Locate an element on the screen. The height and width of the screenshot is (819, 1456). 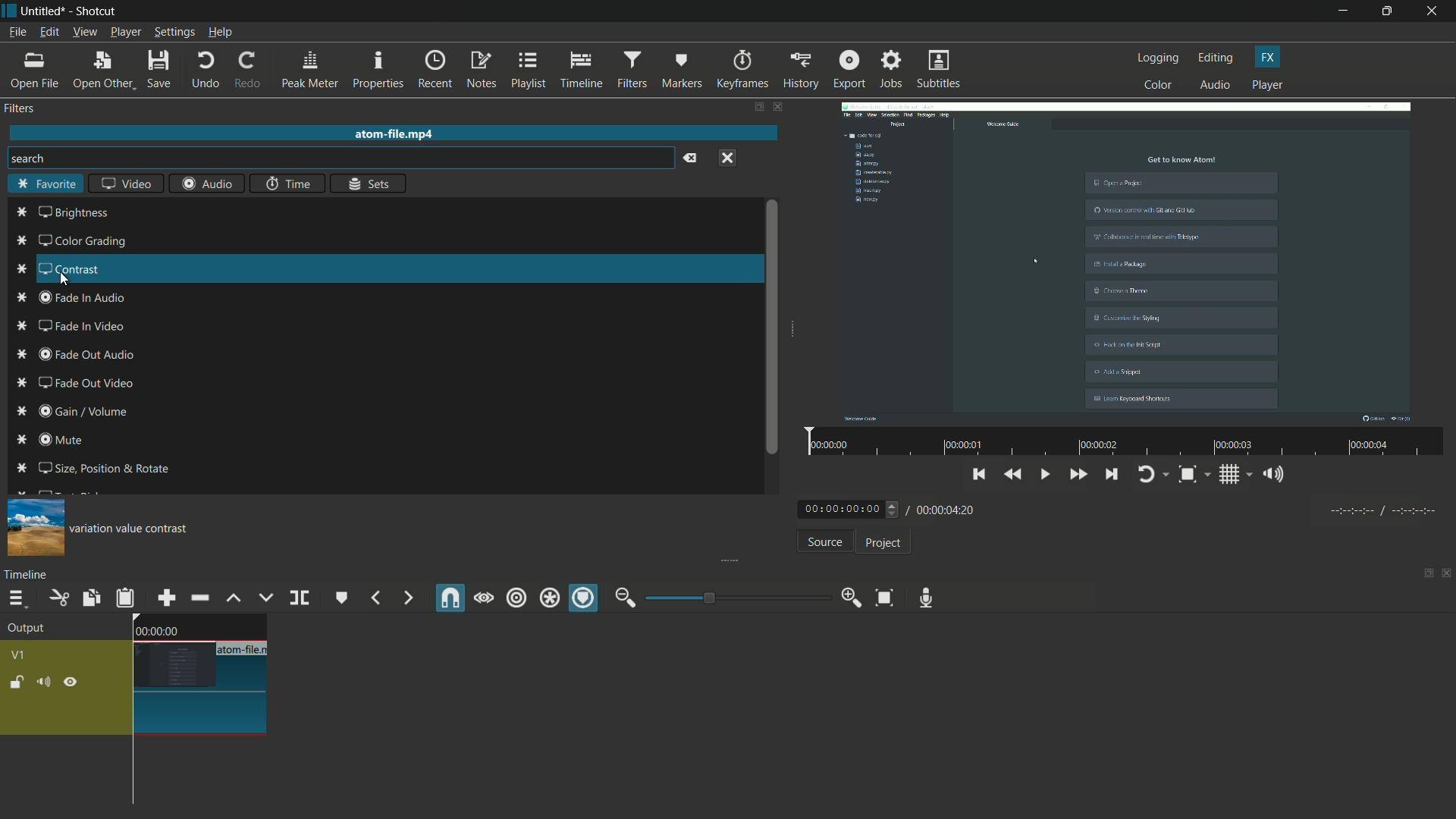
filters is located at coordinates (631, 70).